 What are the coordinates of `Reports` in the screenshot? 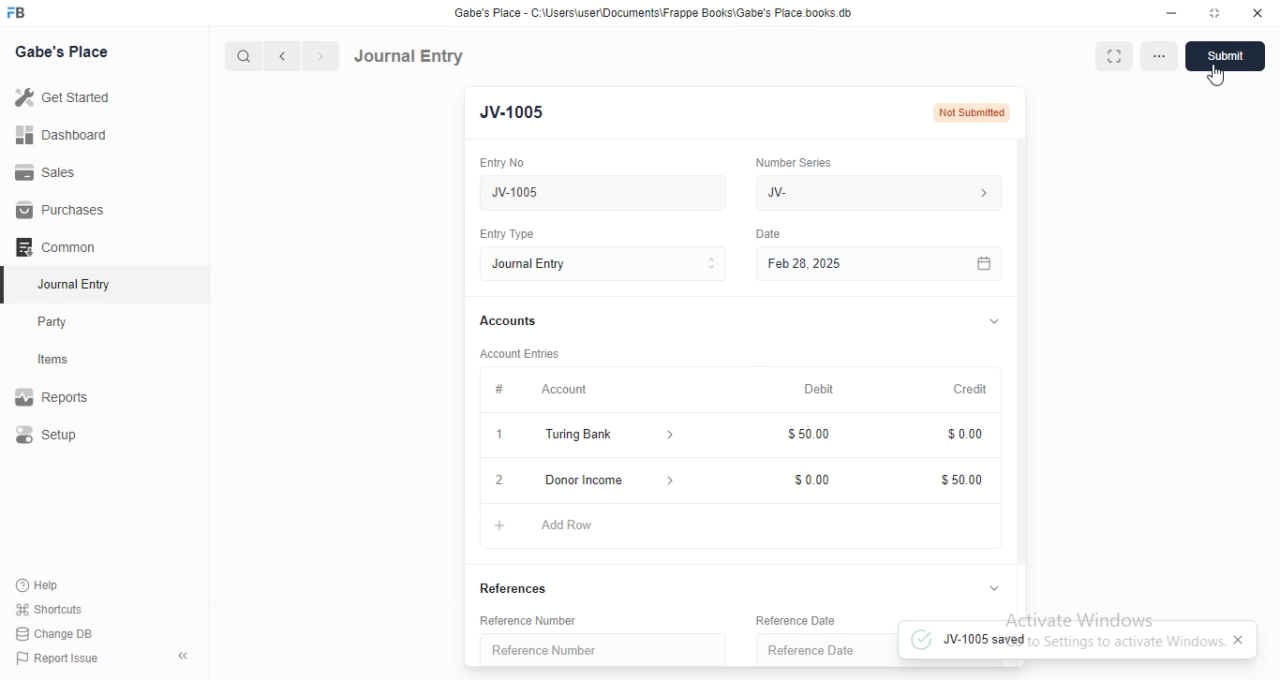 It's located at (65, 399).